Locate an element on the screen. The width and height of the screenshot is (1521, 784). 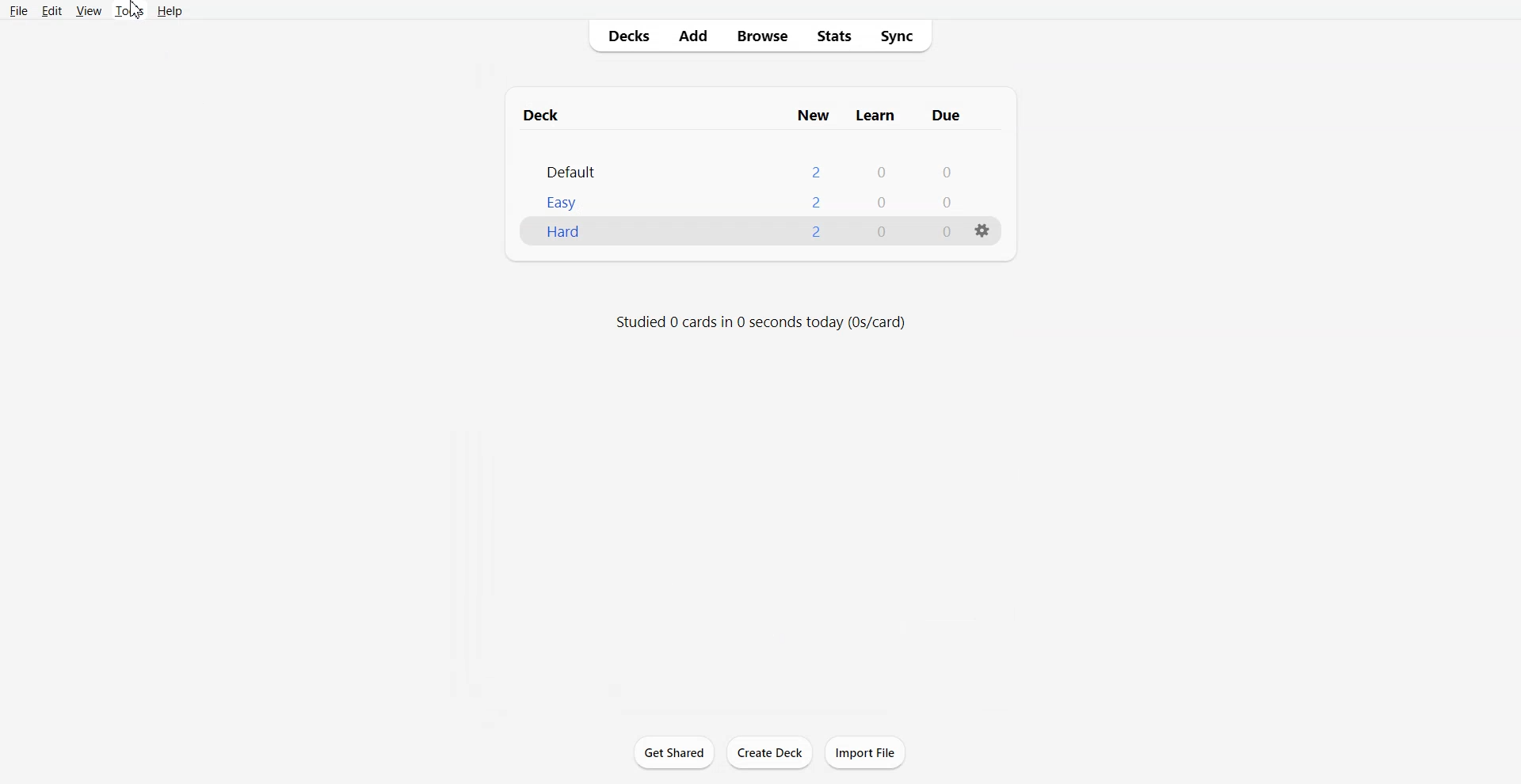
settings is located at coordinates (982, 228).